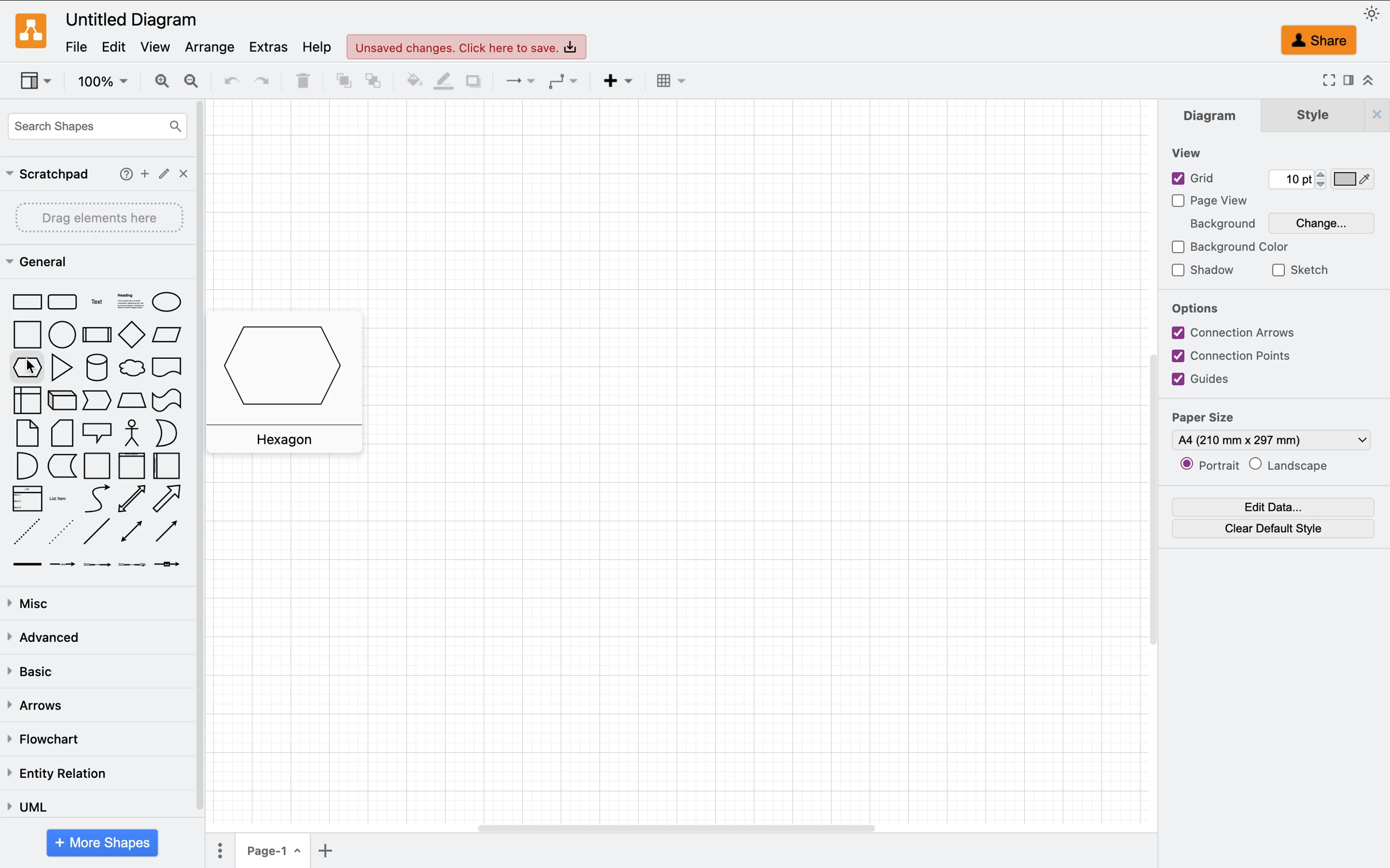 This screenshot has height=868, width=1390. I want to click on to front, so click(338, 82).